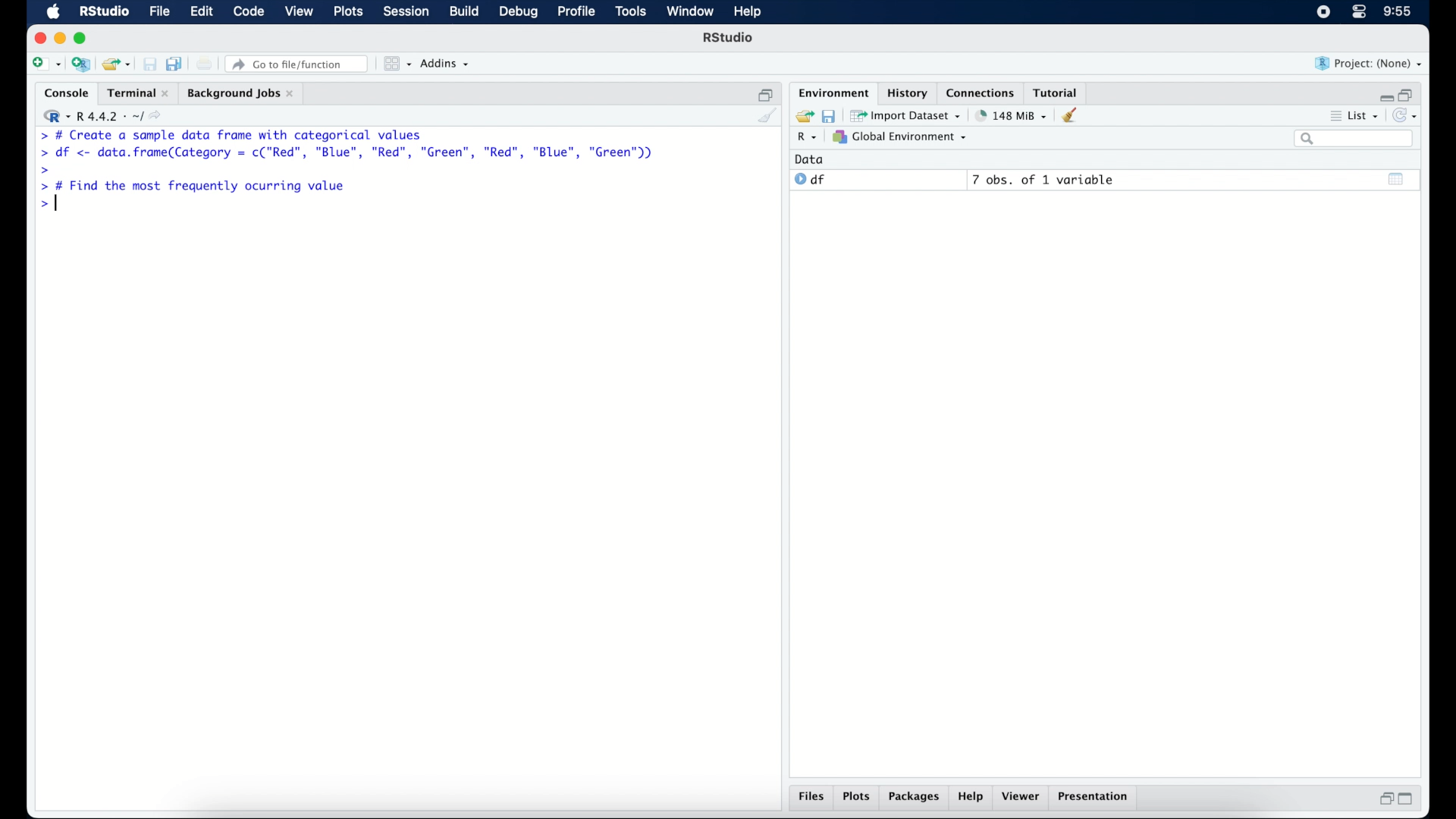 This screenshot has height=819, width=1456. I want to click on 142 MB, so click(1012, 115).